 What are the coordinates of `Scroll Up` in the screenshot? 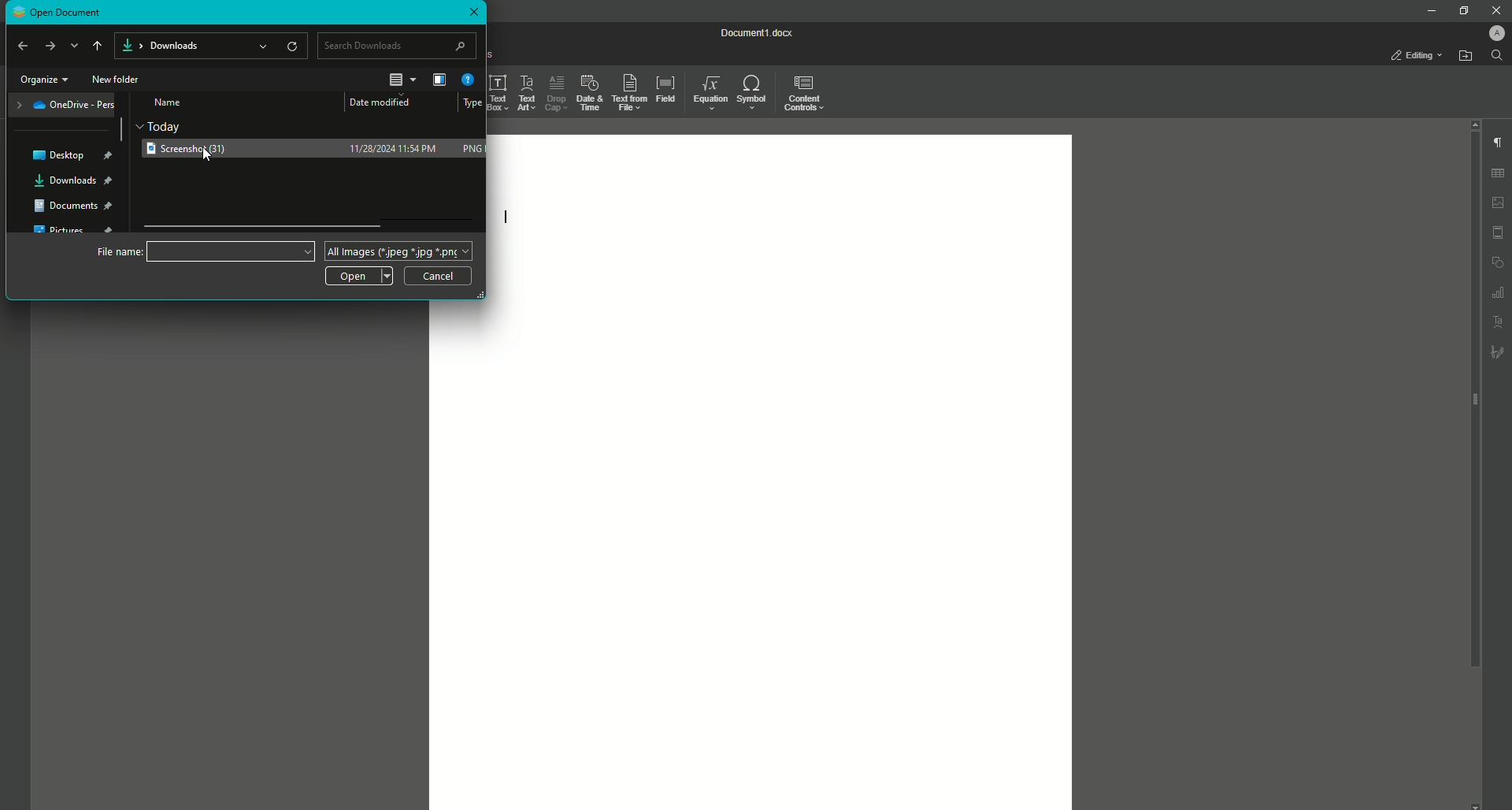 It's located at (1471, 124).